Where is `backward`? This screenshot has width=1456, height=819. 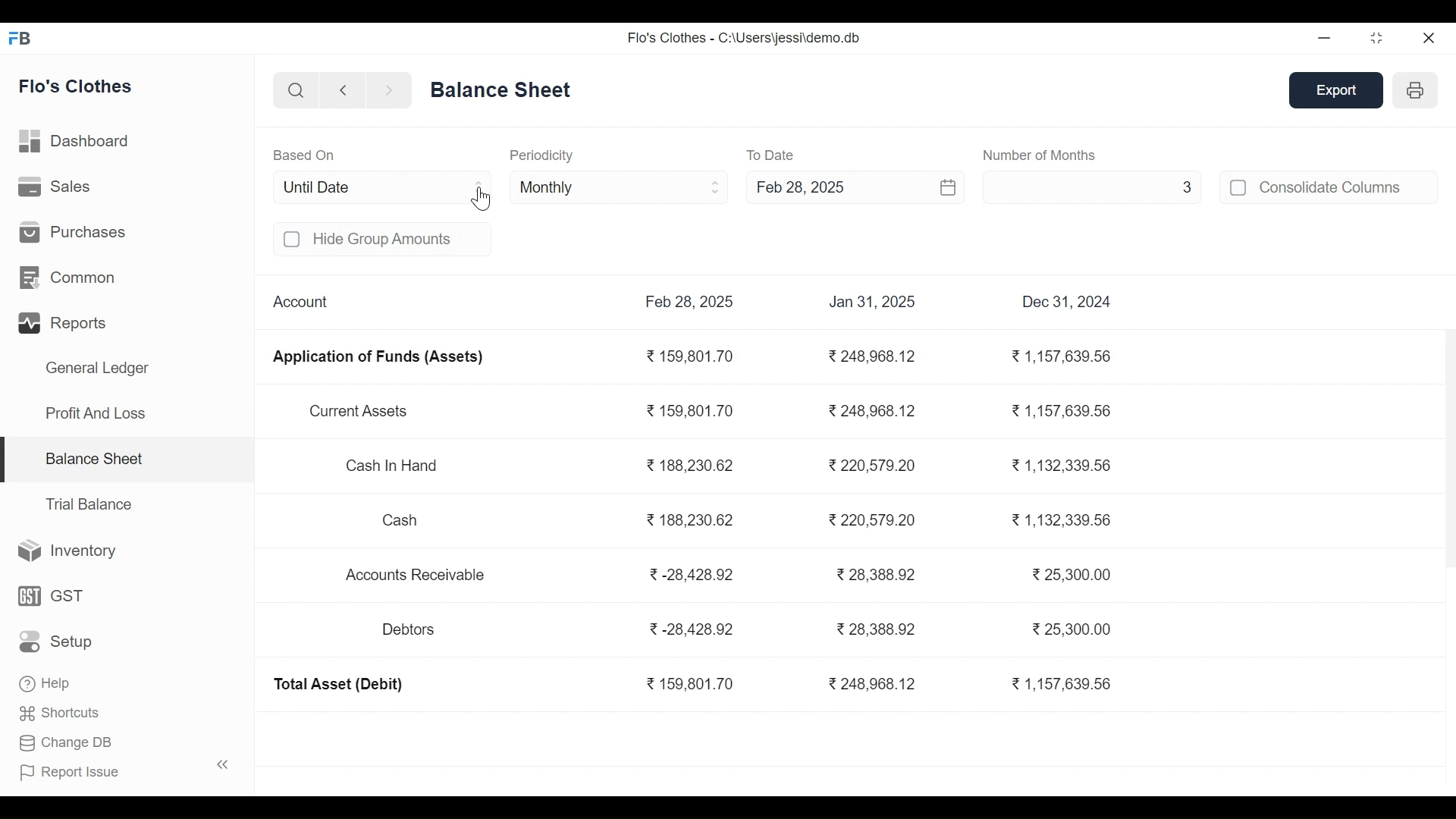 backward is located at coordinates (344, 92).